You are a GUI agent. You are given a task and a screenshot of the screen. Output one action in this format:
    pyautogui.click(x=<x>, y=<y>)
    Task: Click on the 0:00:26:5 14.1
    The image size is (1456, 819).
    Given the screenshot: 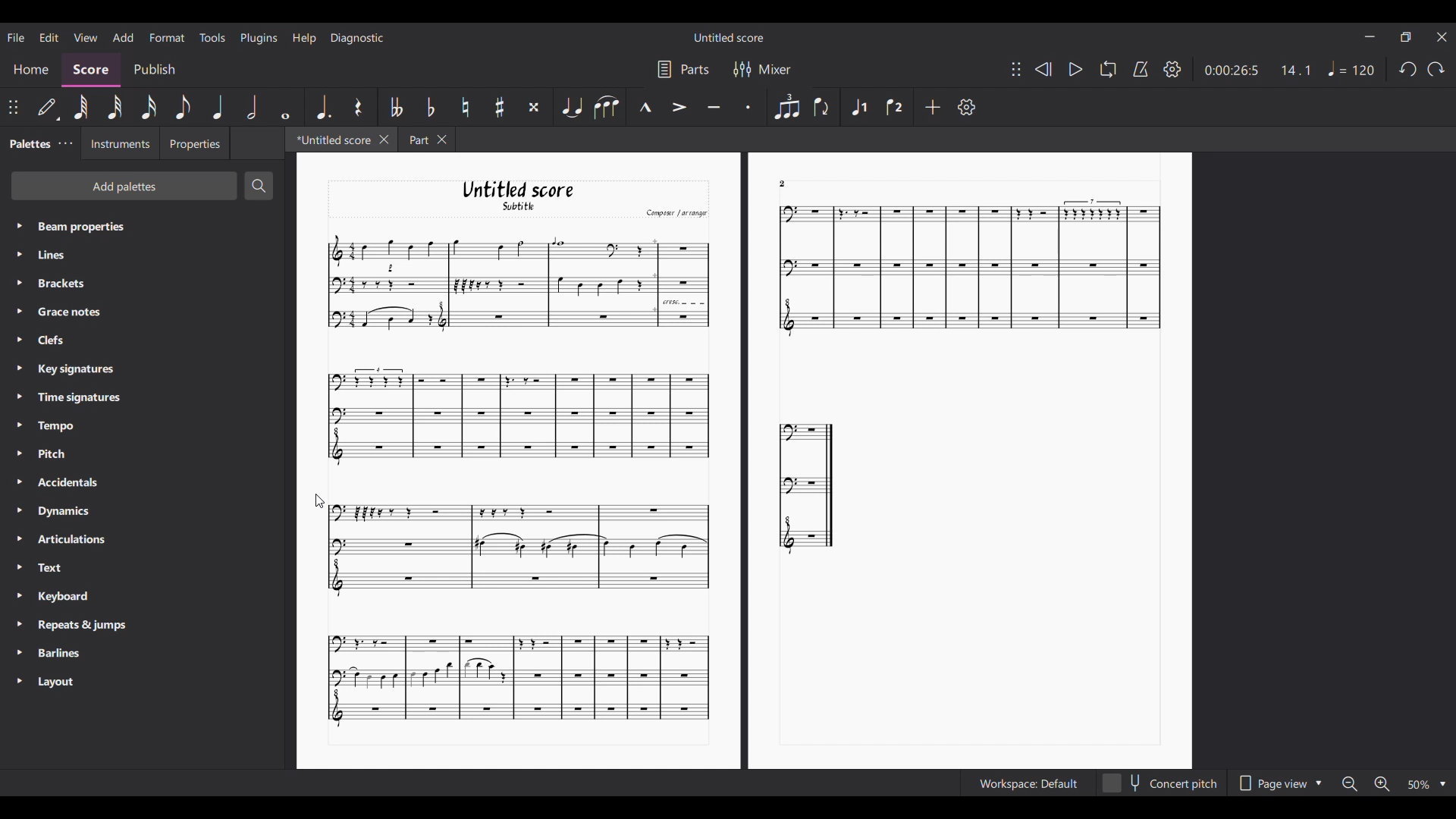 What is the action you would take?
    pyautogui.click(x=1263, y=69)
    